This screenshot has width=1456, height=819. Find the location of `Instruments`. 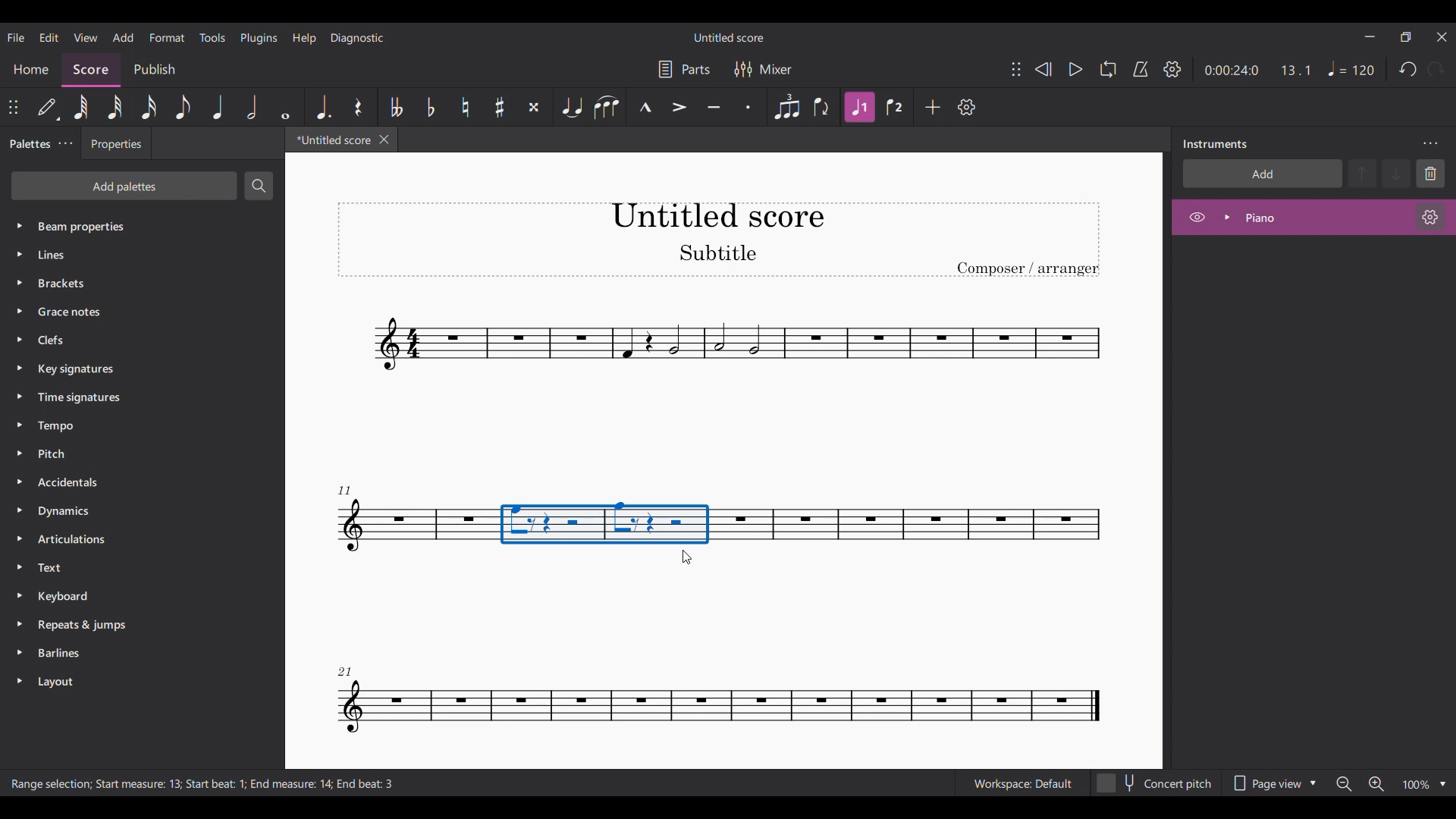

Instruments is located at coordinates (1215, 144).